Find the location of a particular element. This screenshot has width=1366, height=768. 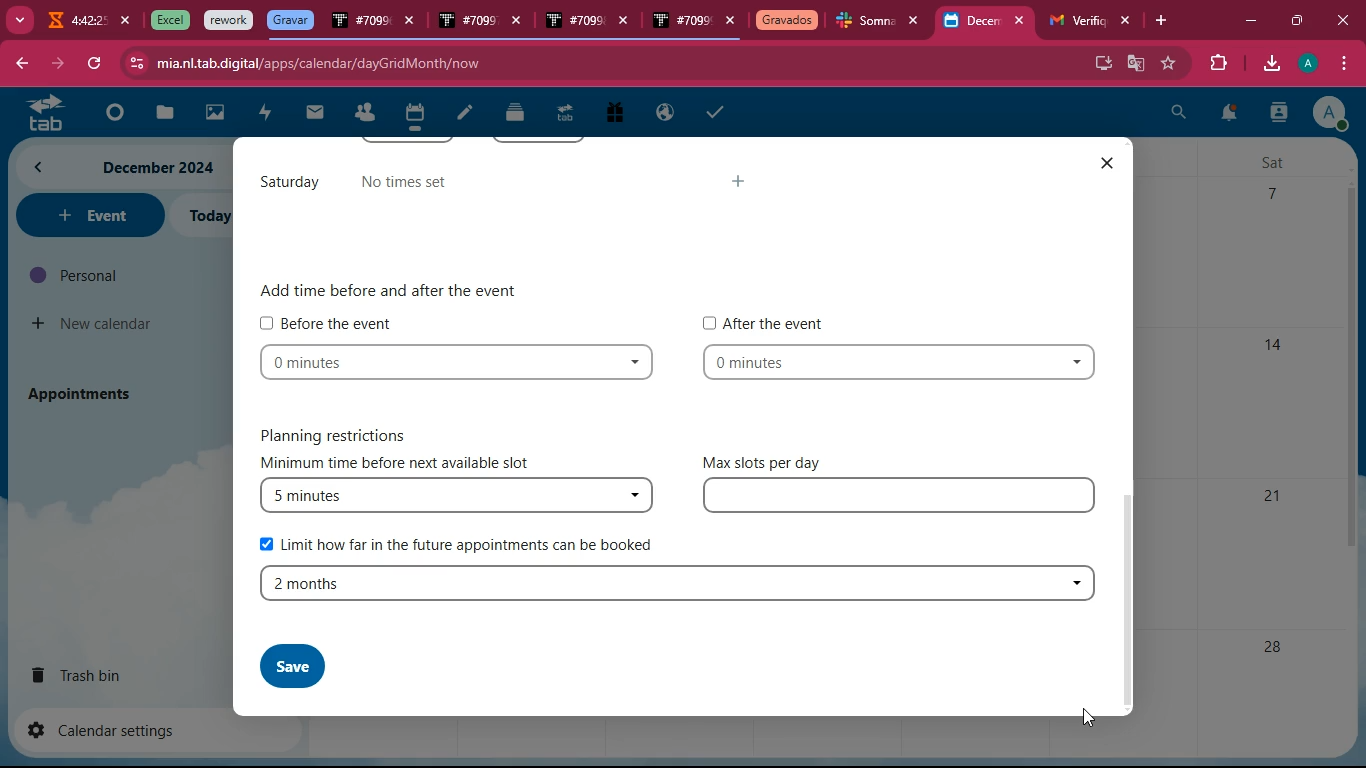

trash bin is located at coordinates (96, 674).